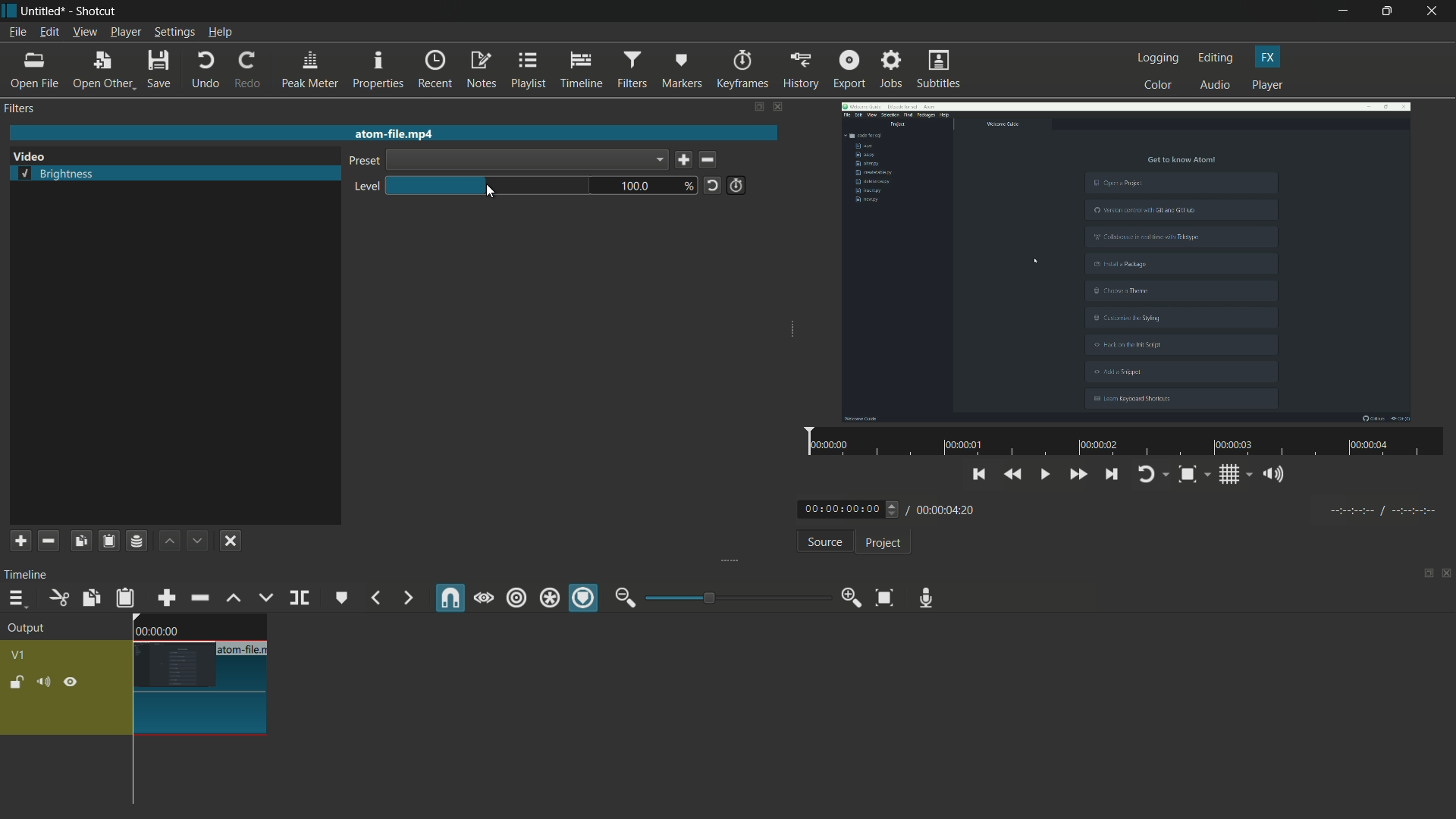  What do you see at coordinates (89, 598) in the screenshot?
I see `copy` at bounding box center [89, 598].